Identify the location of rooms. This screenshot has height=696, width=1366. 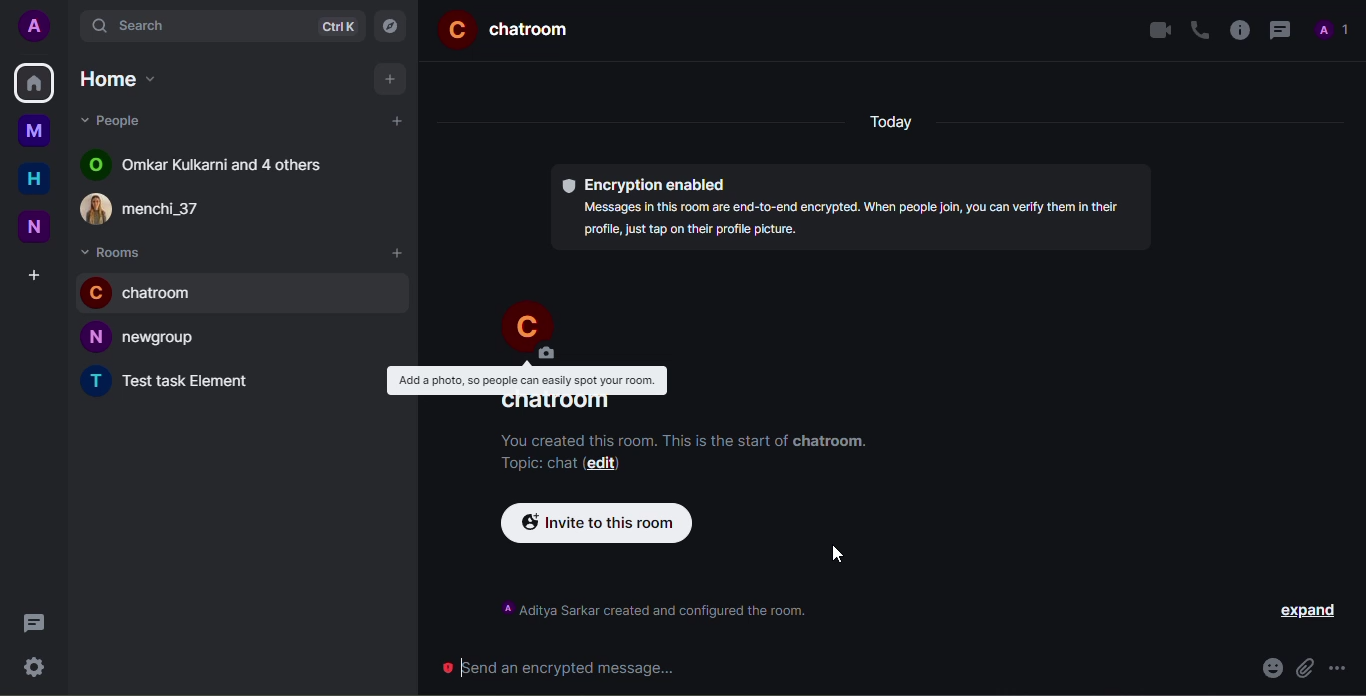
(115, 251).